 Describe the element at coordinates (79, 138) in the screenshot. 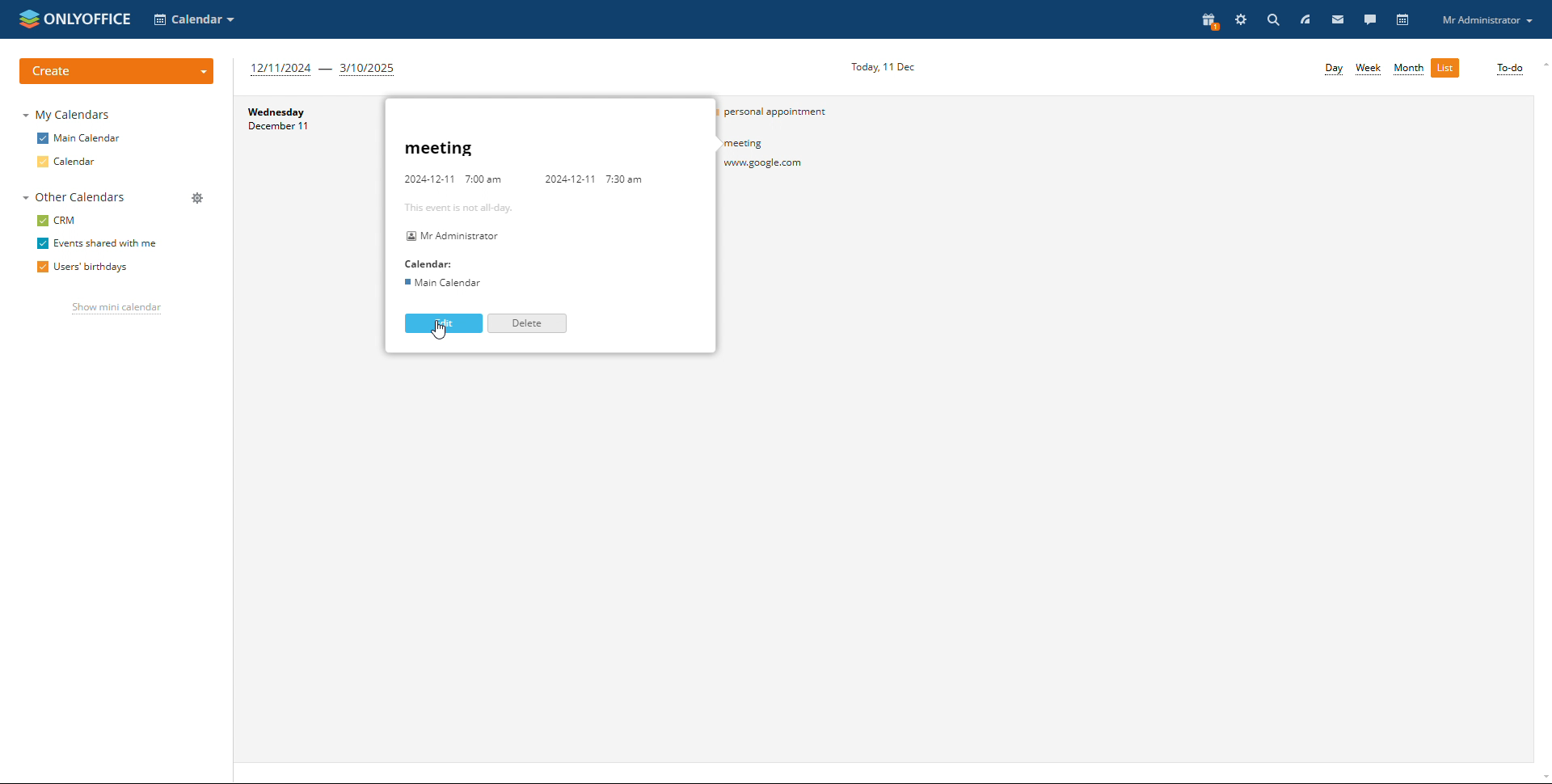

I see `main calendar` at that location.